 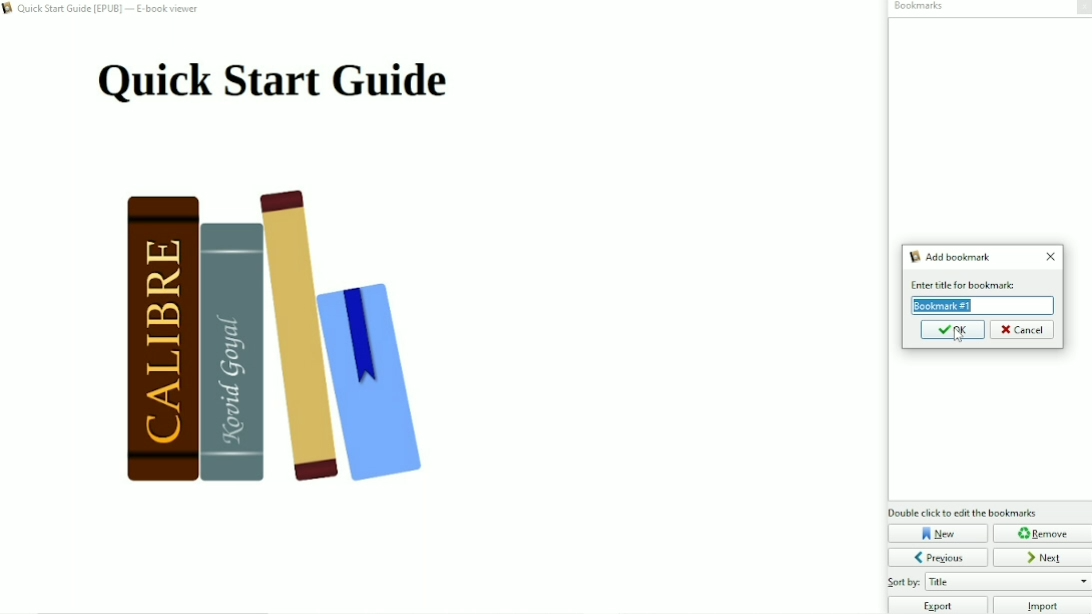 I want to click on text, so click(x=965, y=286).